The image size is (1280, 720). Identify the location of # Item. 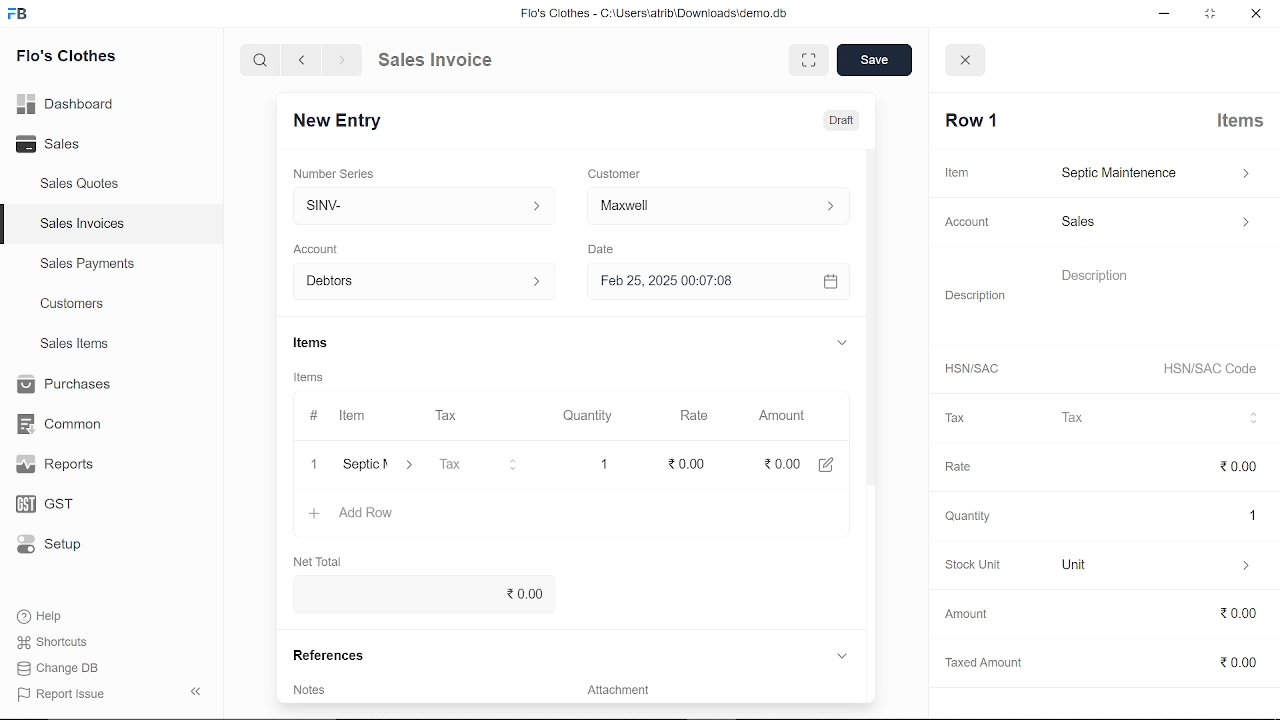
(337, 417).